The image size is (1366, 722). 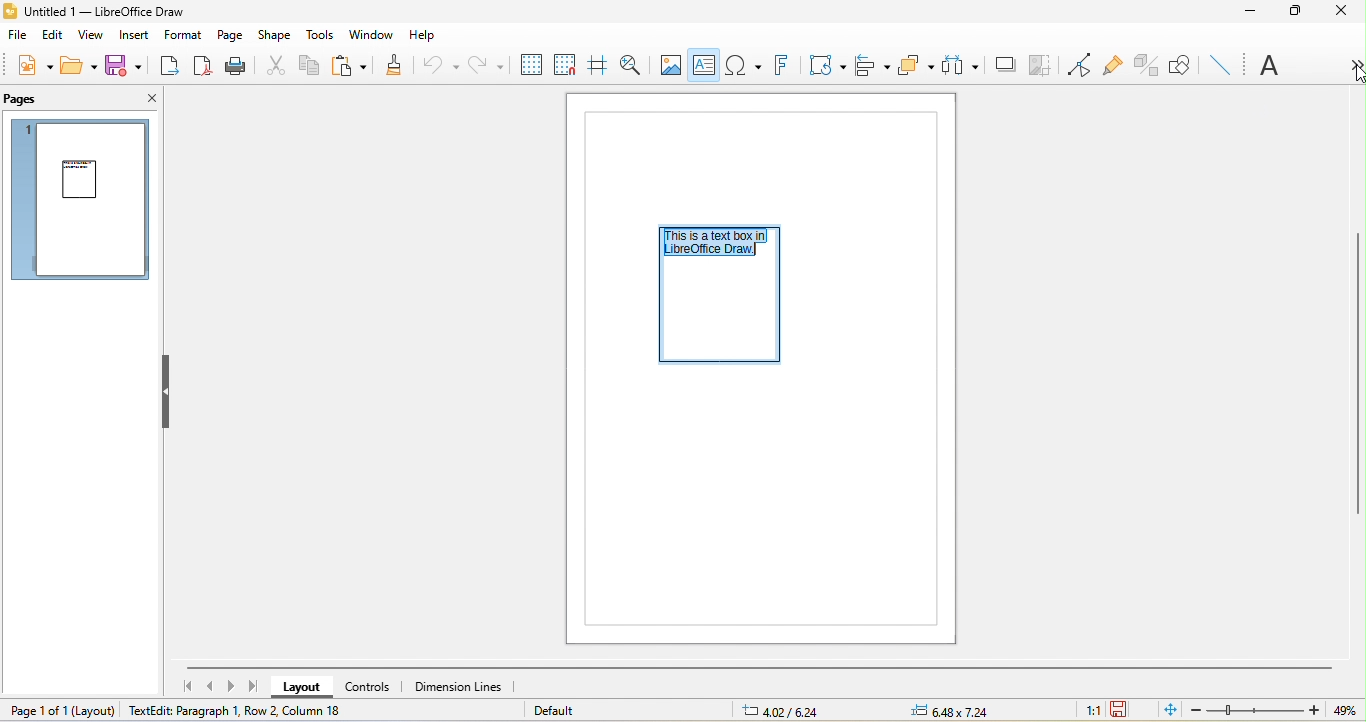 What do you see at coordinates (181, 685) in the screenshot?
I see `first page` at bounding box center [181, 685].